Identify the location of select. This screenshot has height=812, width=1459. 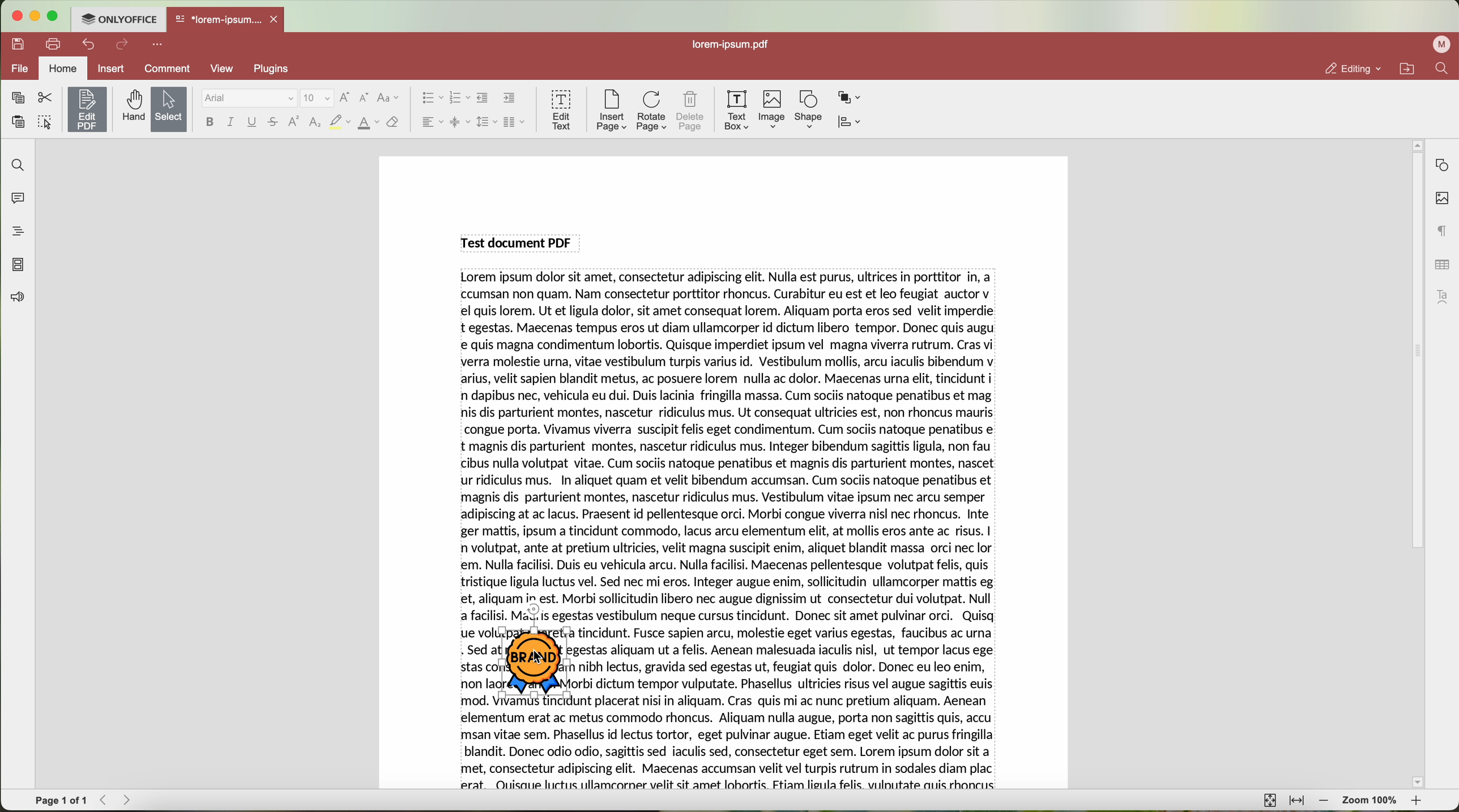
(169, 110).